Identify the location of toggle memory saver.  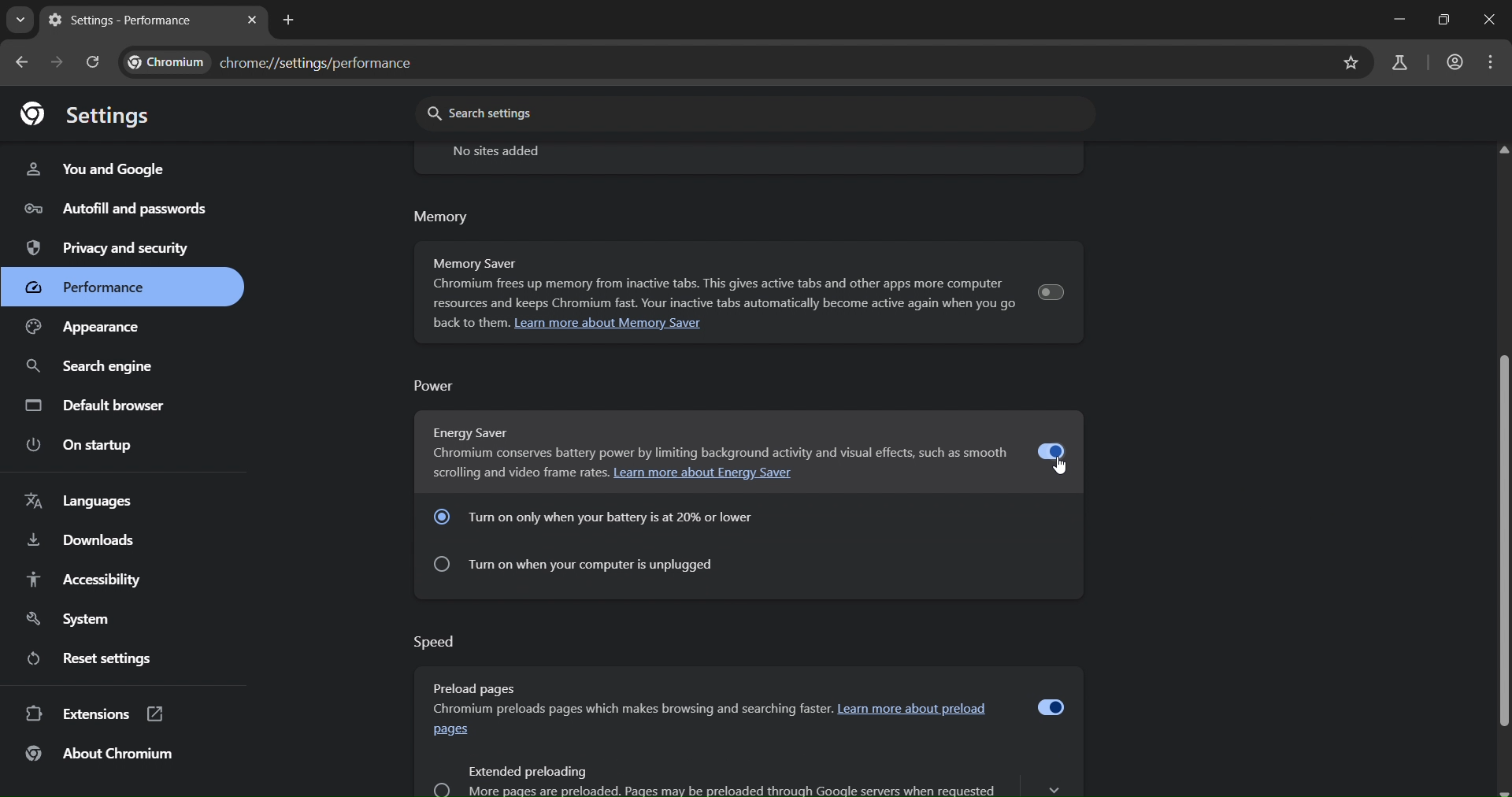
(1053, 287).